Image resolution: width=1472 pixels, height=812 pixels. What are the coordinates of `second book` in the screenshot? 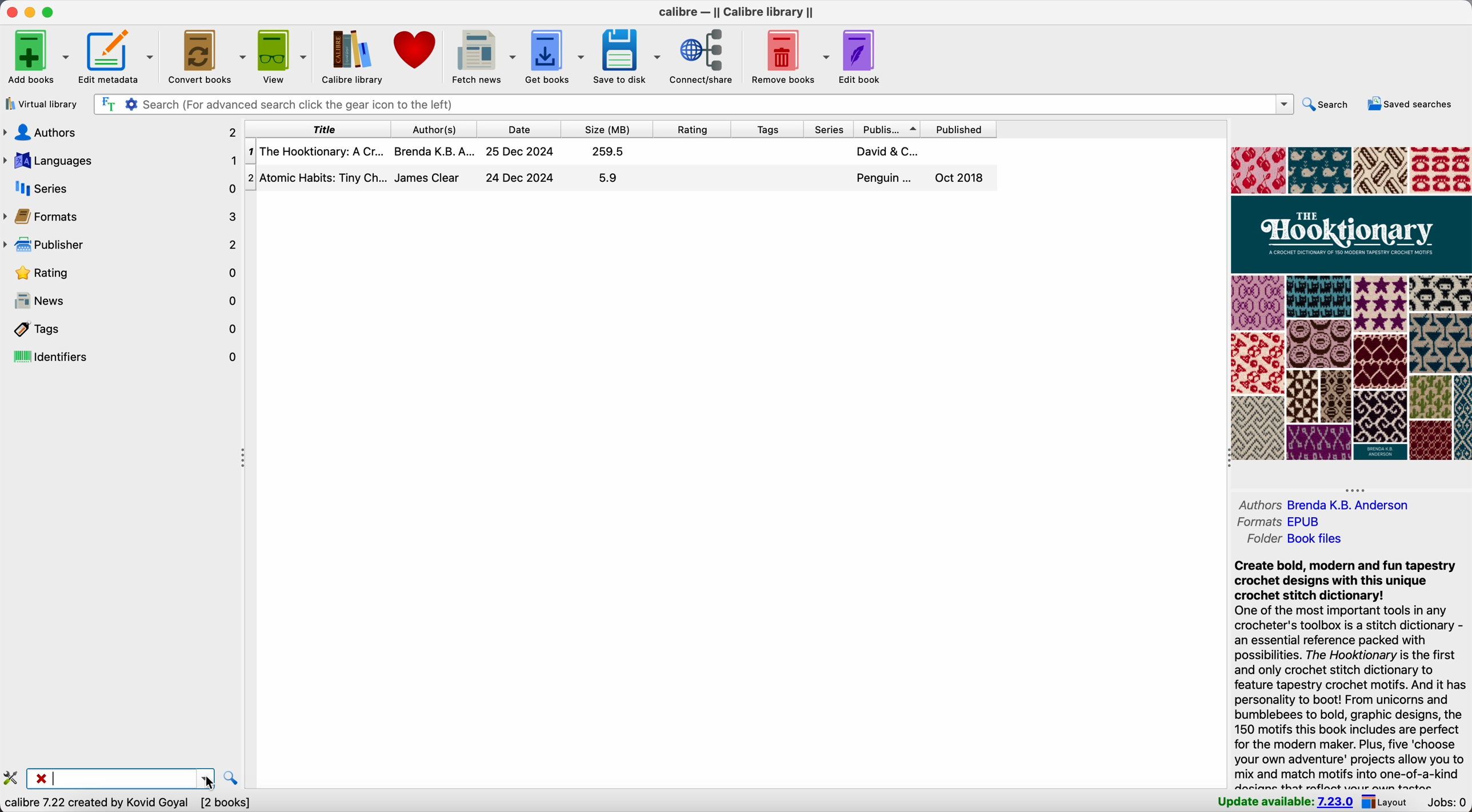 It's located at (621, 182).